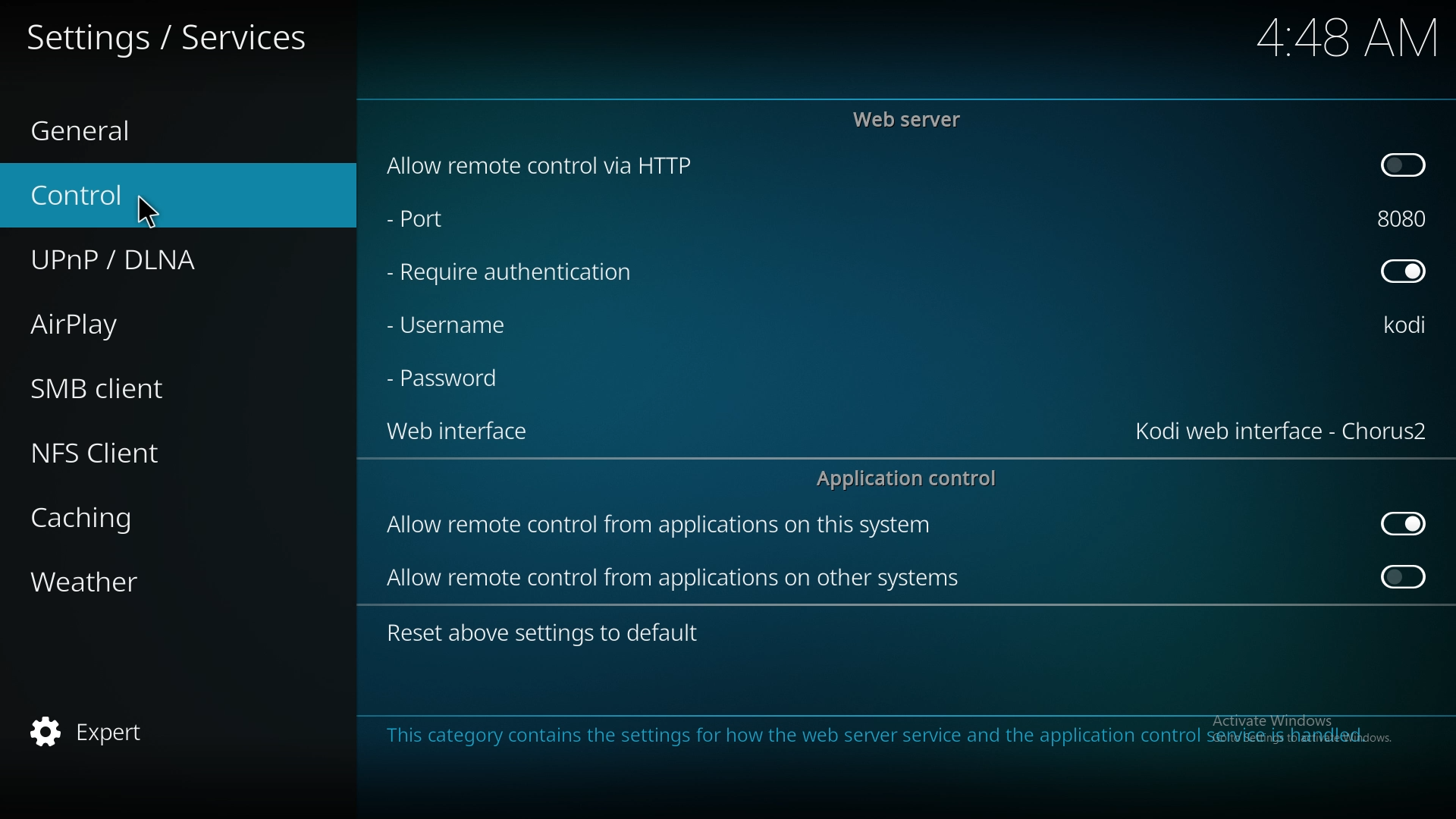 This screenshot has height=819, width=1456. What do you see at coordinates (529, 275) in the screenshot?
I see `require authentication` at bounding box center [529, 275].